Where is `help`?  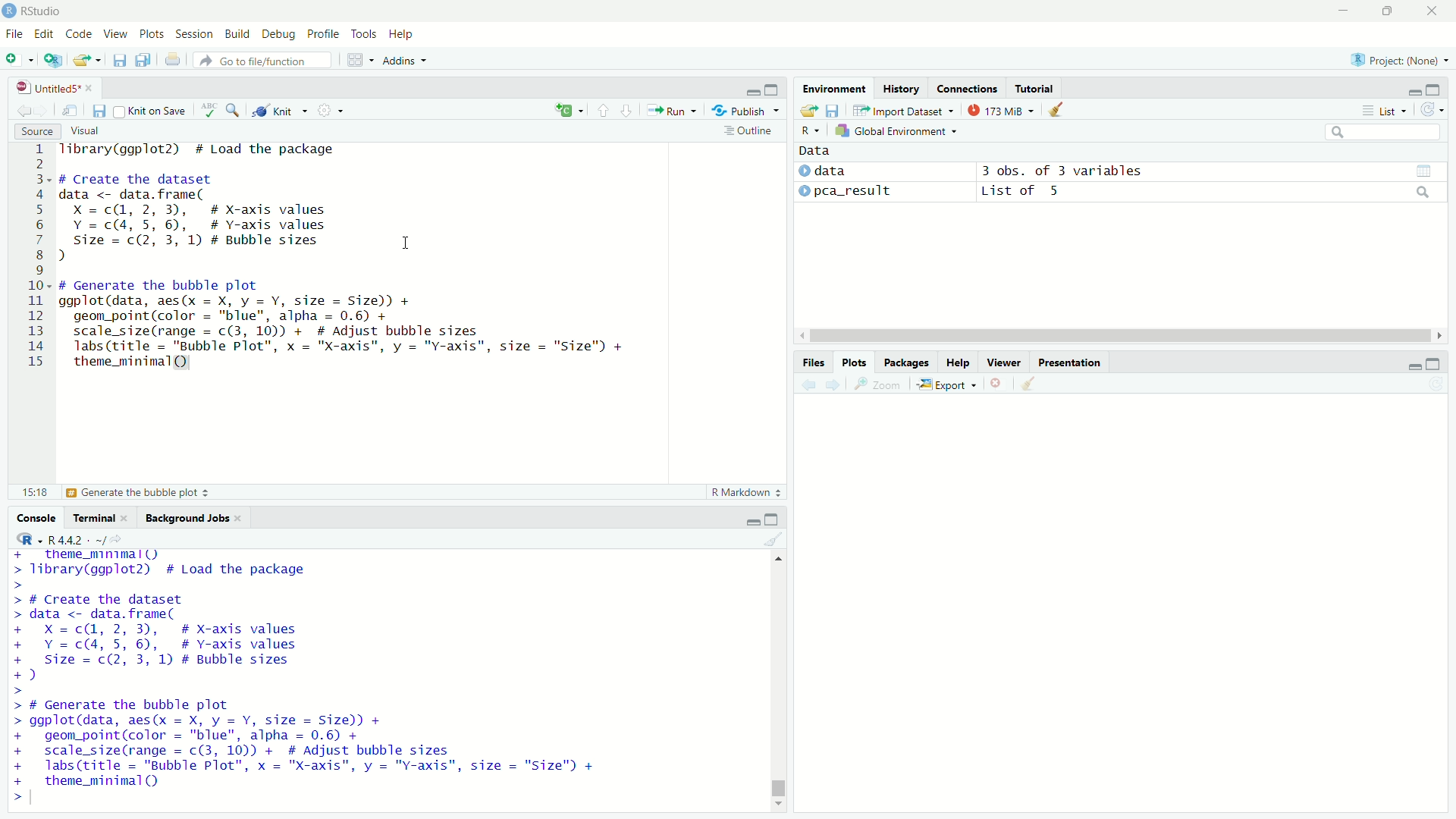 help is located at coordinates (958, 362).